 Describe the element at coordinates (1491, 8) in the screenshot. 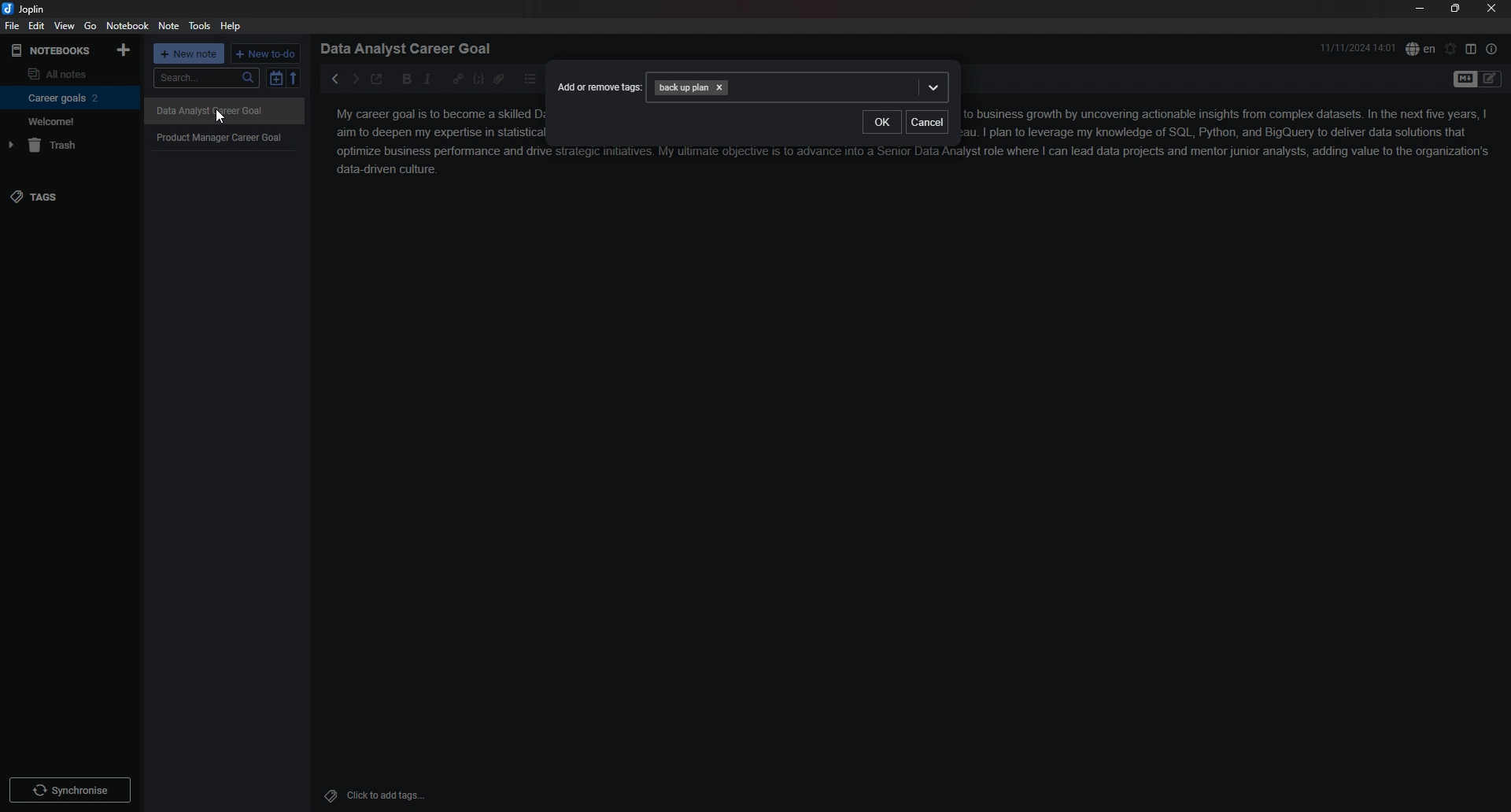

I see `close` at that location.